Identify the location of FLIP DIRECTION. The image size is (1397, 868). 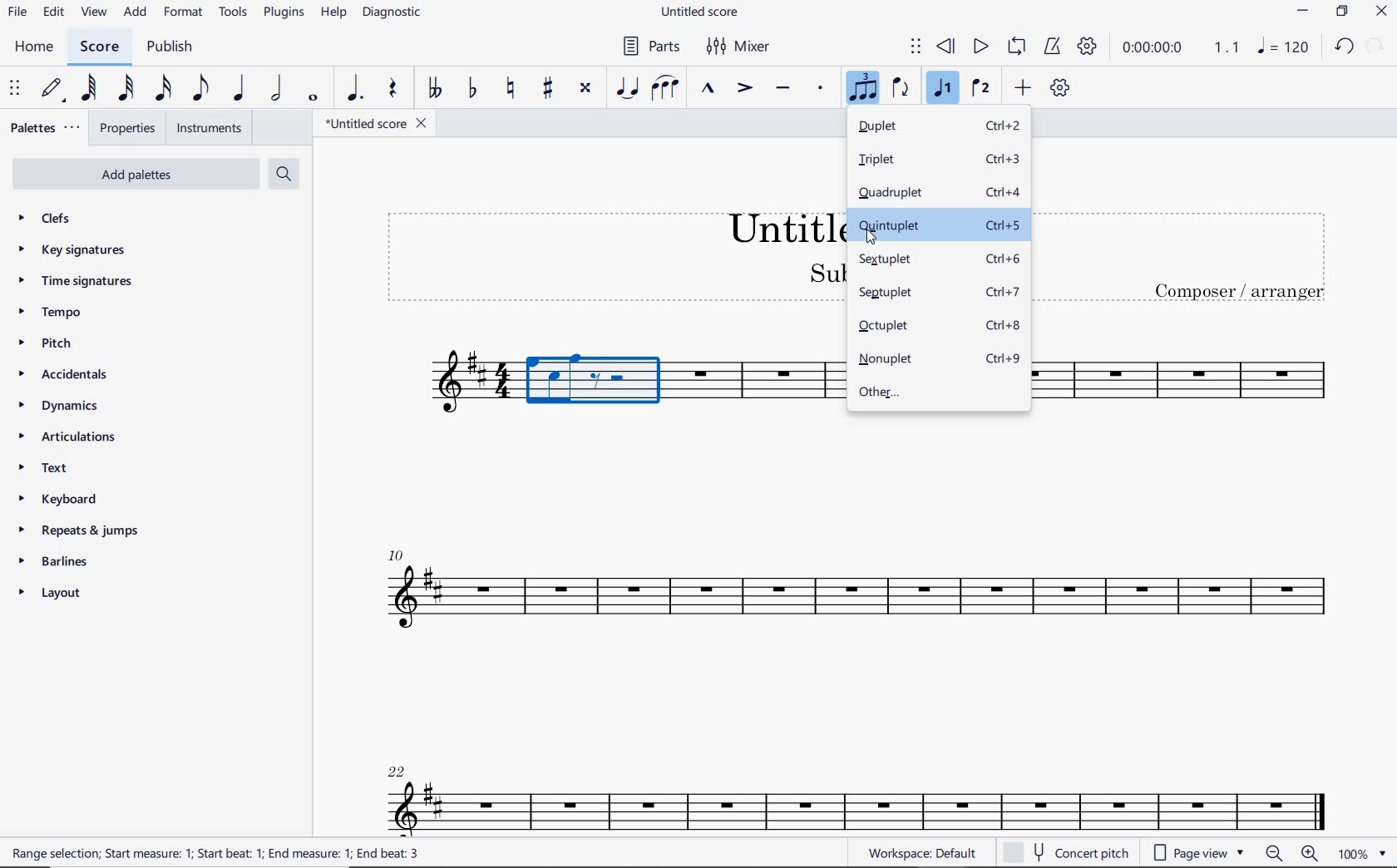
(904, 90).